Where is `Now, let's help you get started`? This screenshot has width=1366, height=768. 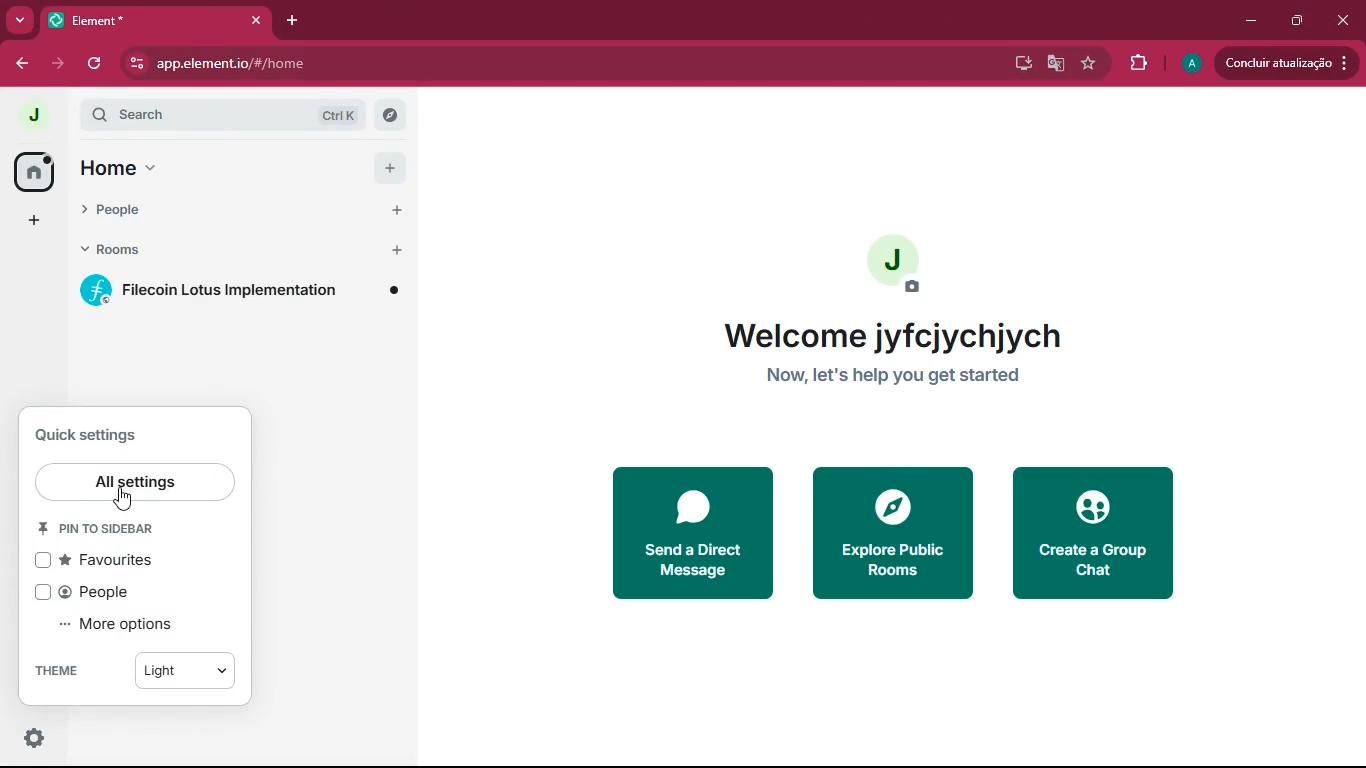
Now, let's help you get started is located at coordinates (893, 375).